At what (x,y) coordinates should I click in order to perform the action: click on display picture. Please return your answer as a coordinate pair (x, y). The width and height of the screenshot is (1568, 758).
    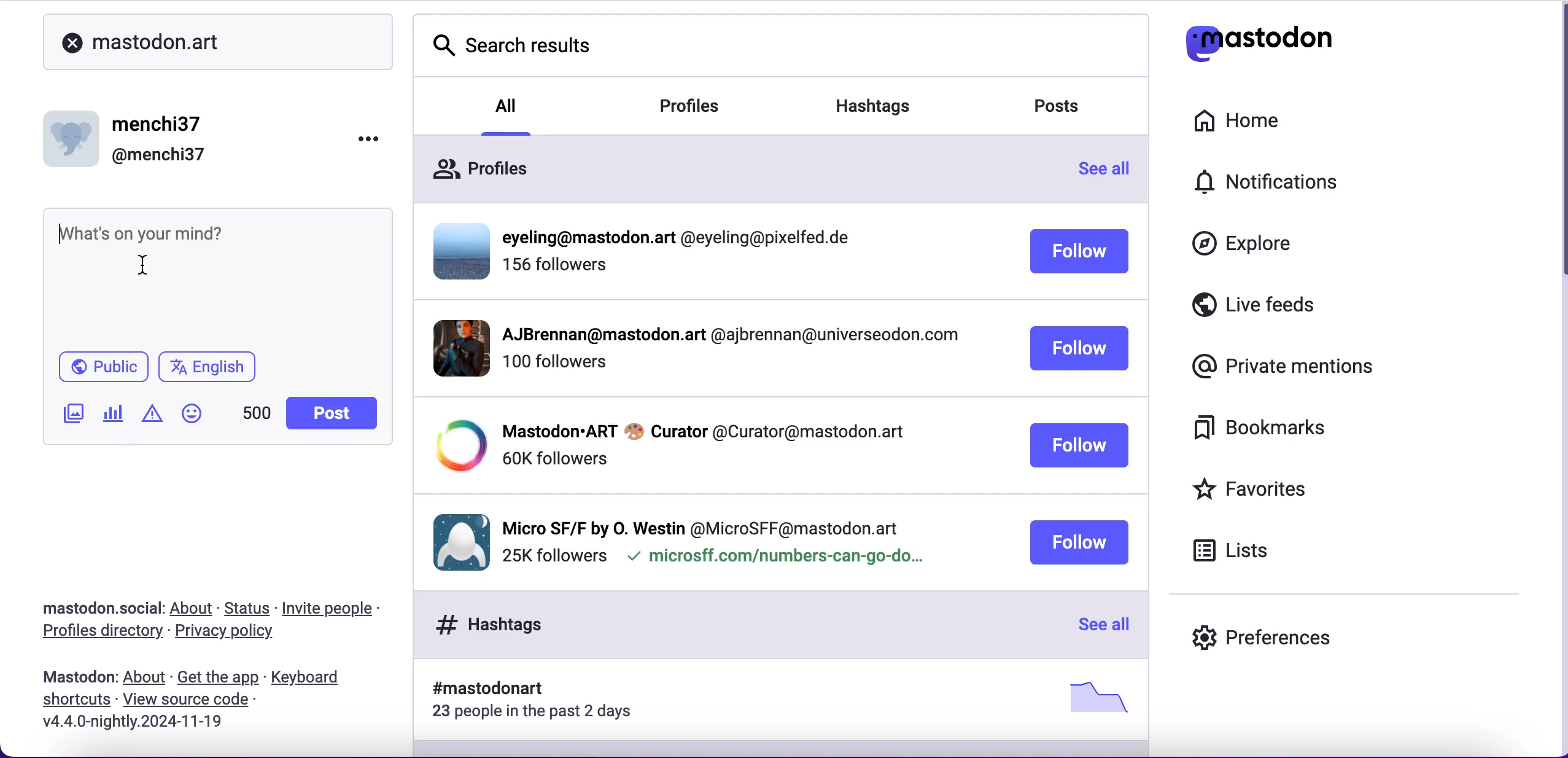
    Looking at the image, I should click on (457, 249).